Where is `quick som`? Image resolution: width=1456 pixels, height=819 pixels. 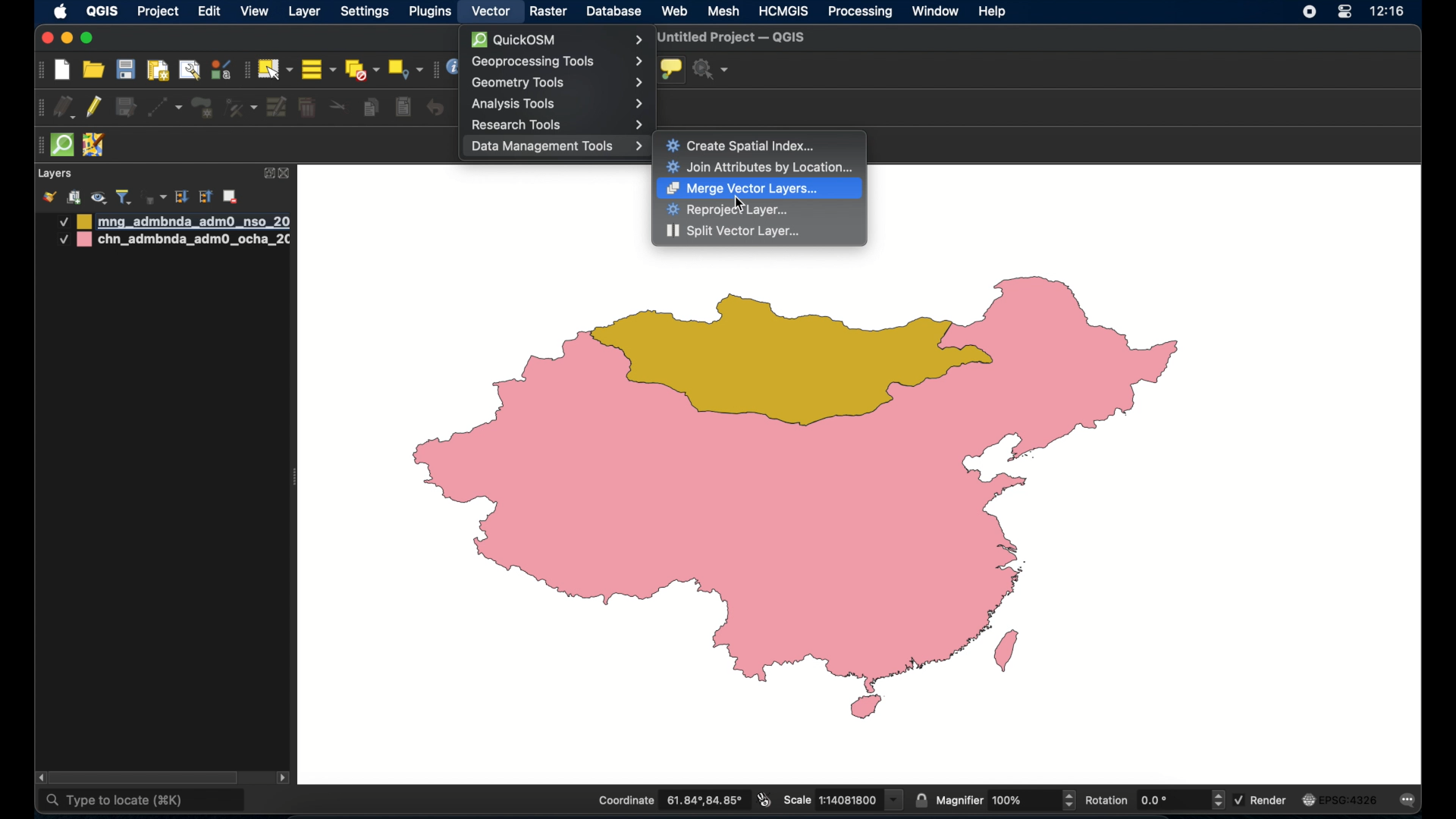
quick som is located at coordinates (61, 146).